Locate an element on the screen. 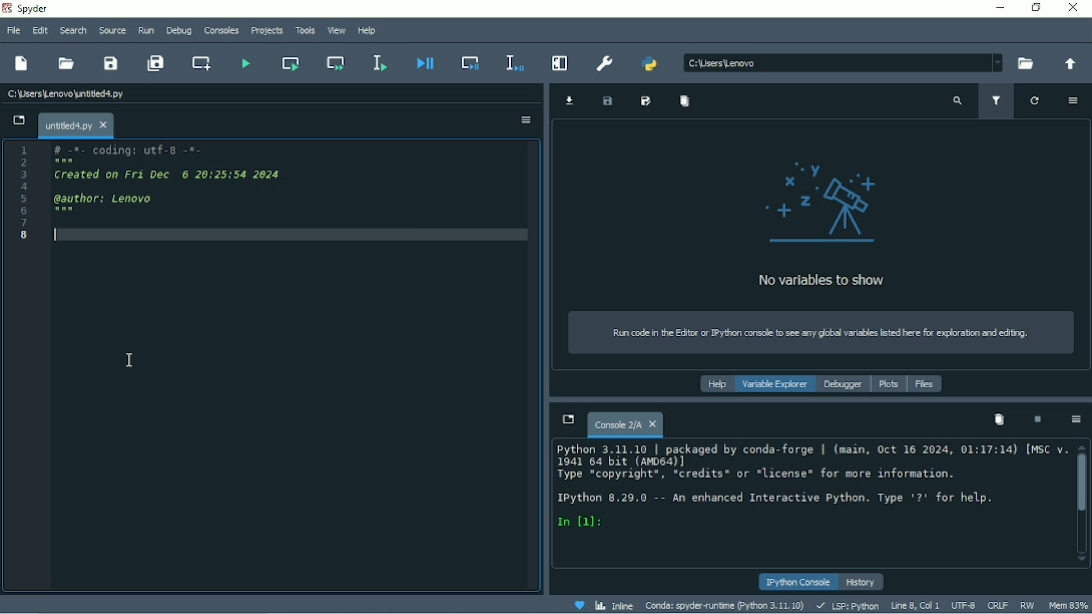 Image resolution: width=1092 pixels, height=614 pixels. Edit is located at coordinates (39, 32).